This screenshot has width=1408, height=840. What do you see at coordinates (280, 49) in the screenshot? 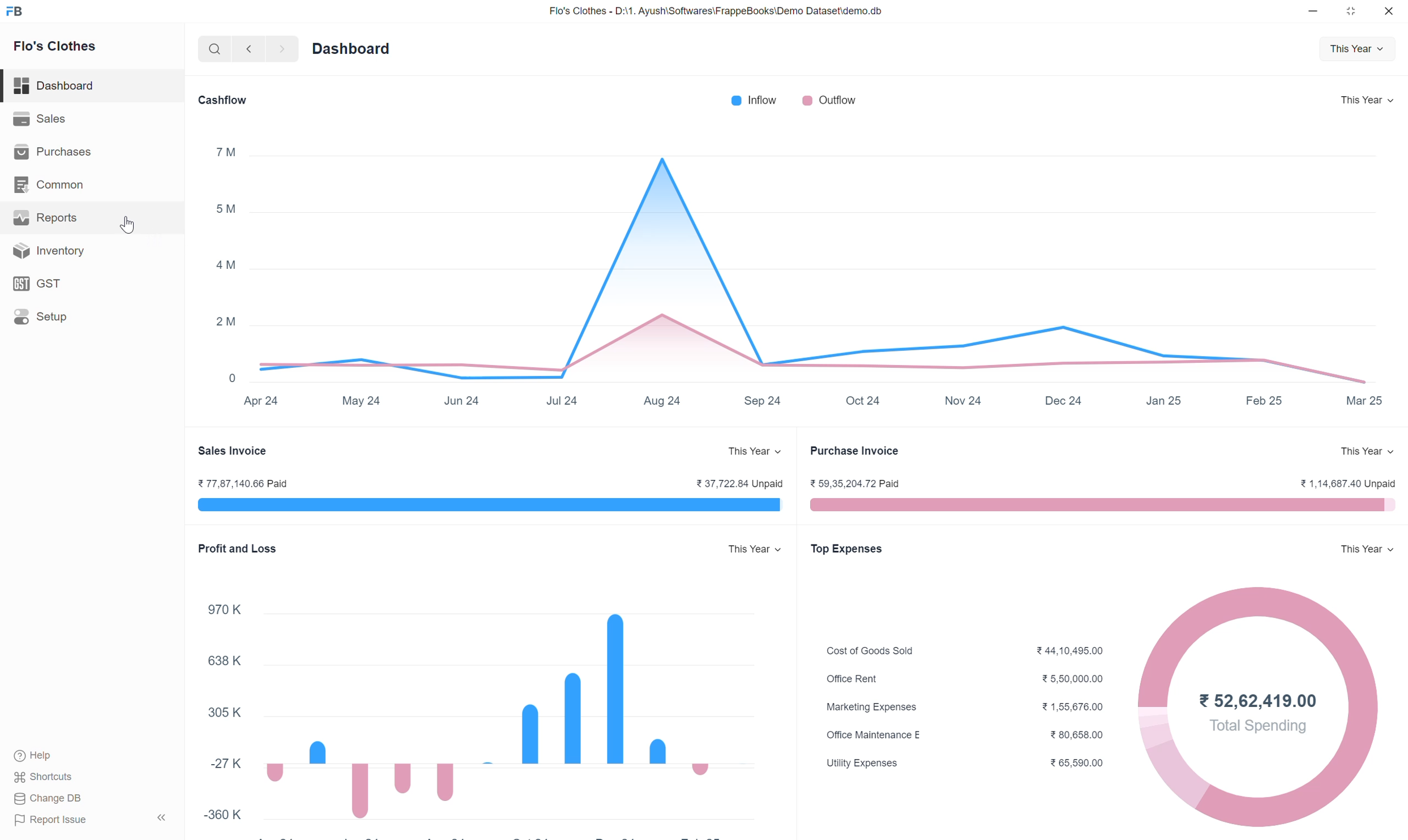
I see `forward` at bounding box center [280, 49].